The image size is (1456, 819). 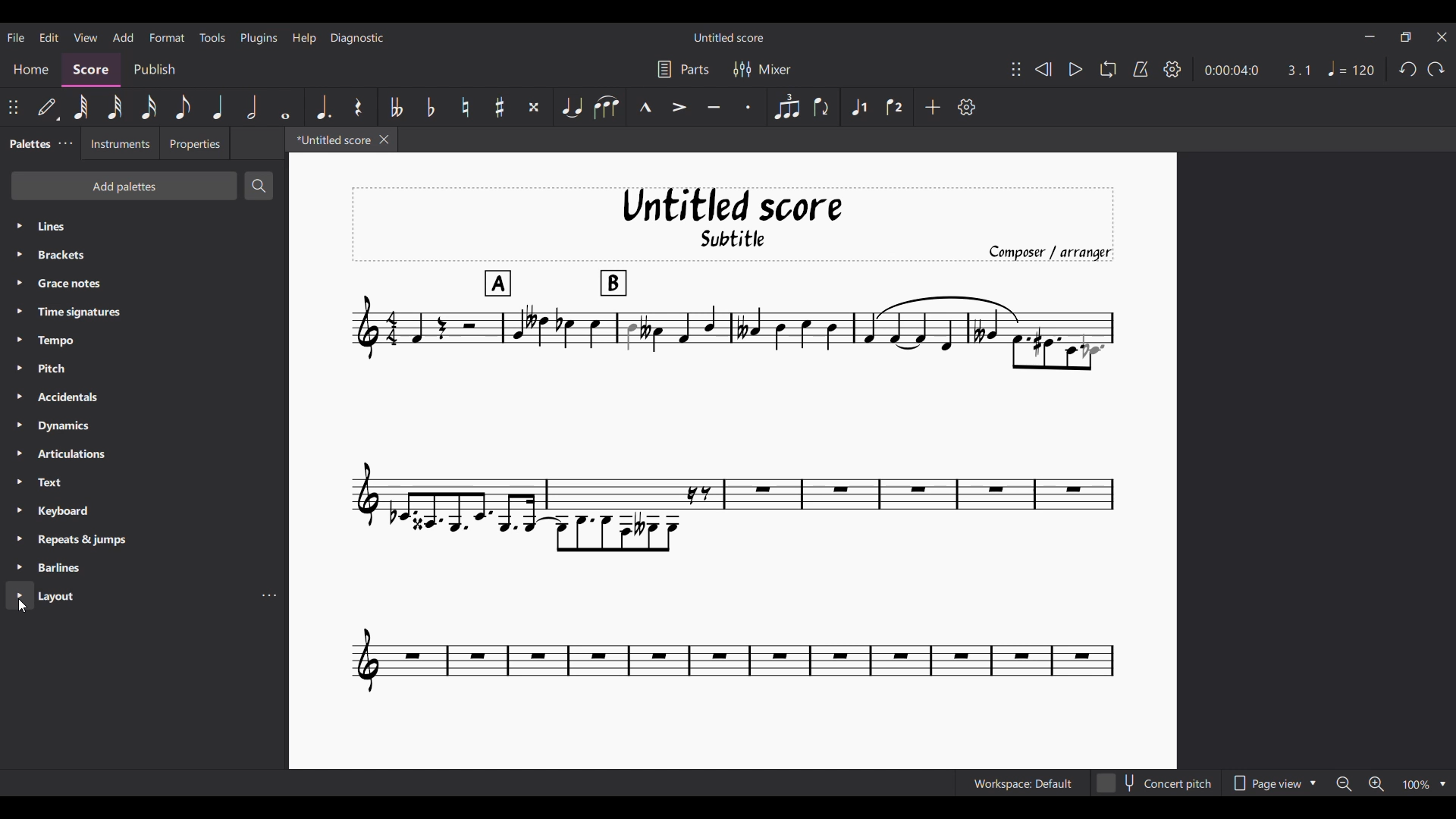 I want to click on Edit menu, so click(x=49, y=38).